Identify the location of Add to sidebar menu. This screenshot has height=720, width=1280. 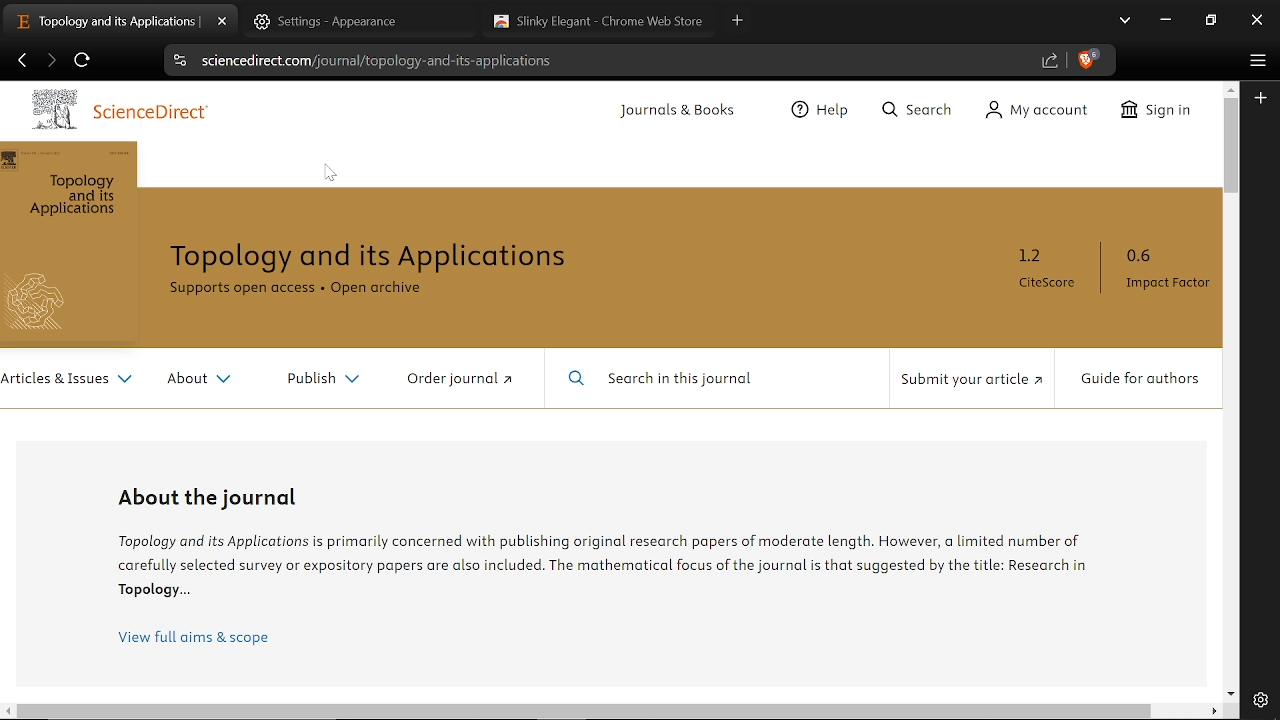
(1263, 98).